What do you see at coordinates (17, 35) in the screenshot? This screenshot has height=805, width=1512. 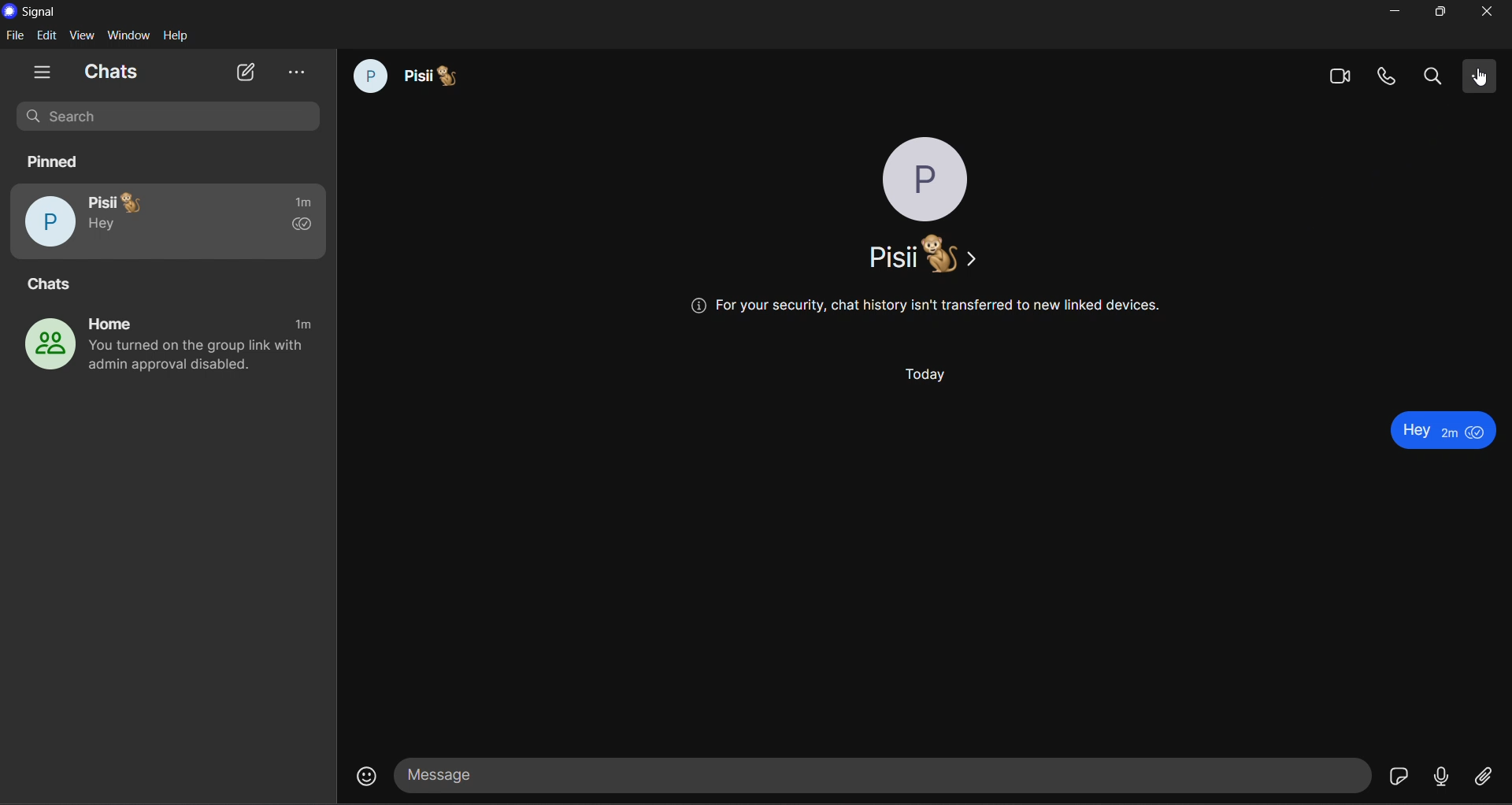 I see `file` at bounding box center [17, 35].